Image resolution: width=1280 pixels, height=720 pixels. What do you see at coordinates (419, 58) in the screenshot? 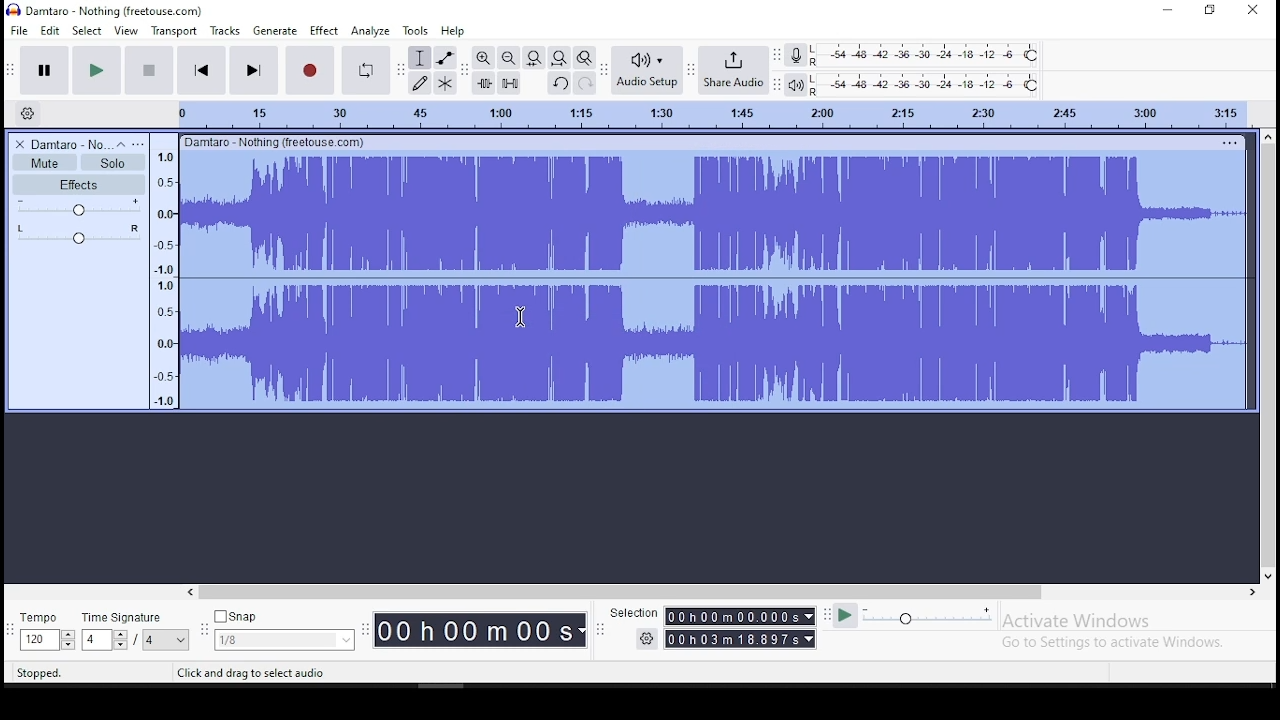
I see `selection tool` at bounding box center [419, 58].